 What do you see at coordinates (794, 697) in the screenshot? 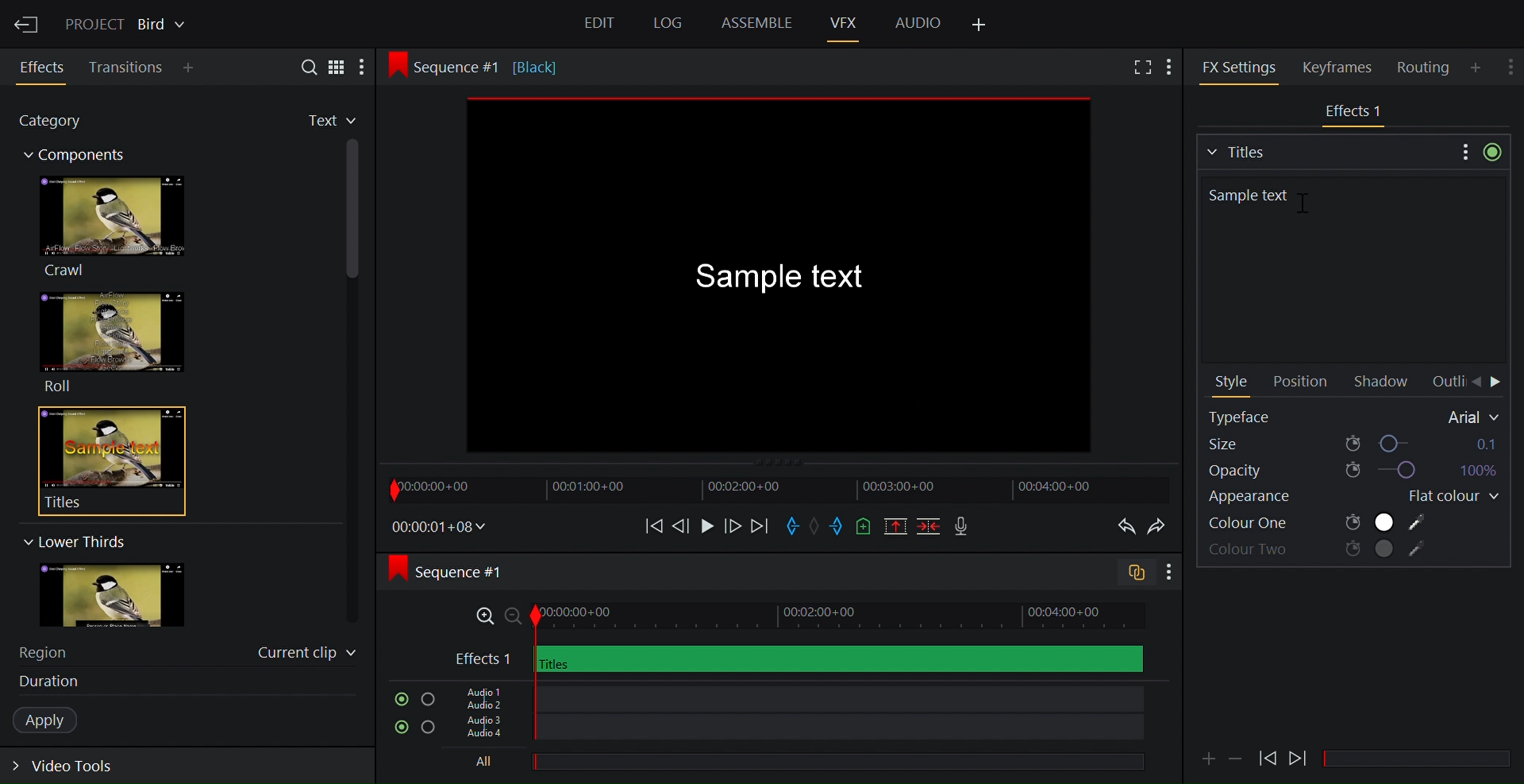
I see `Audio Track 1, Audio Track 2` at bounding box center [794, 697].